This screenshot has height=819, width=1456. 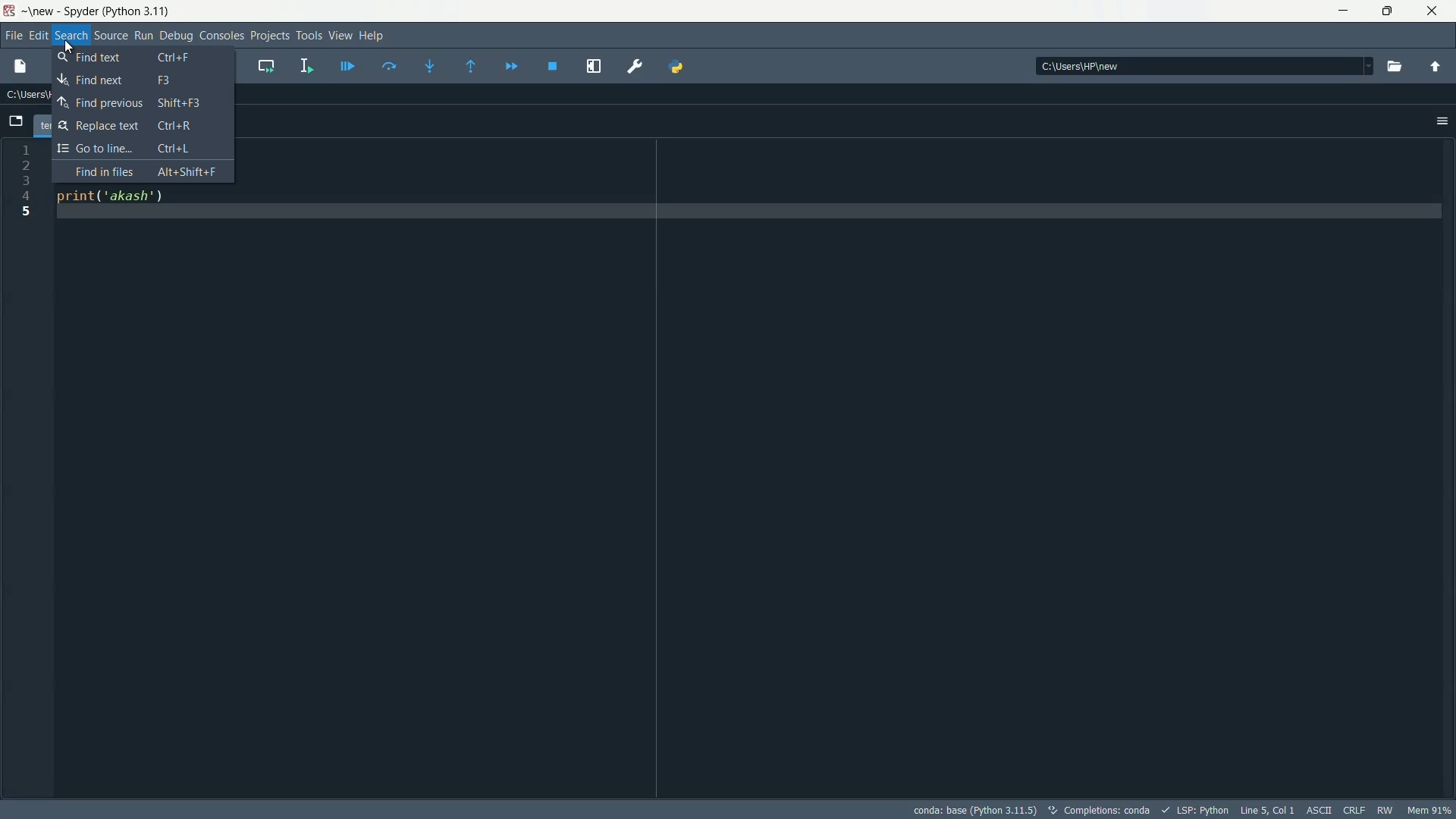 What do you see at coordinates (176, 37) in the screenshot?
I see `debug menu` at bounding box center [176, 37].